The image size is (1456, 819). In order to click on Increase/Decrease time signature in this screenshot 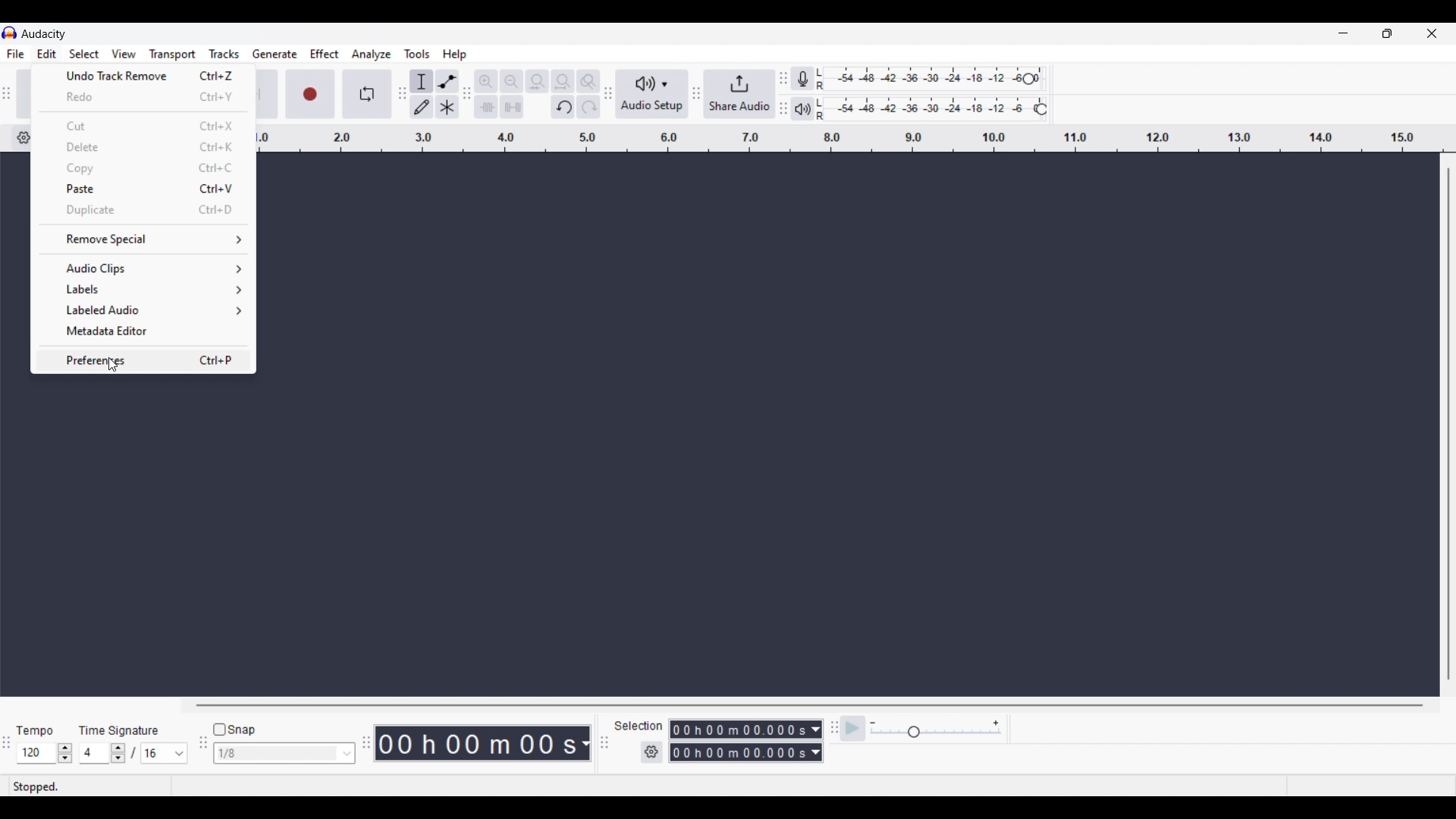, I will do `click(118, 753)`.